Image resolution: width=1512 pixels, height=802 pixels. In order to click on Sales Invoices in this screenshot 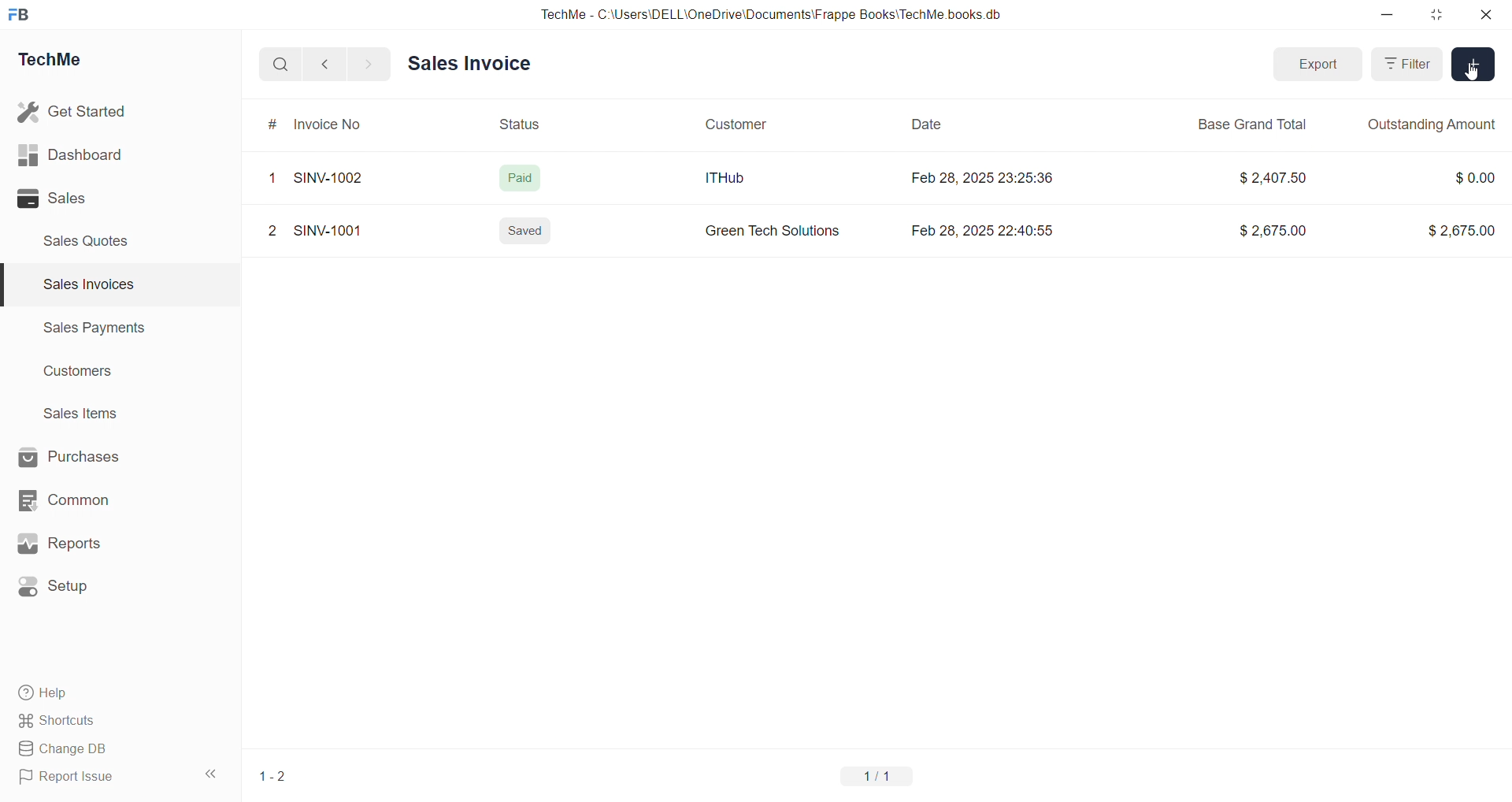, I will do `click(82, 287)`.